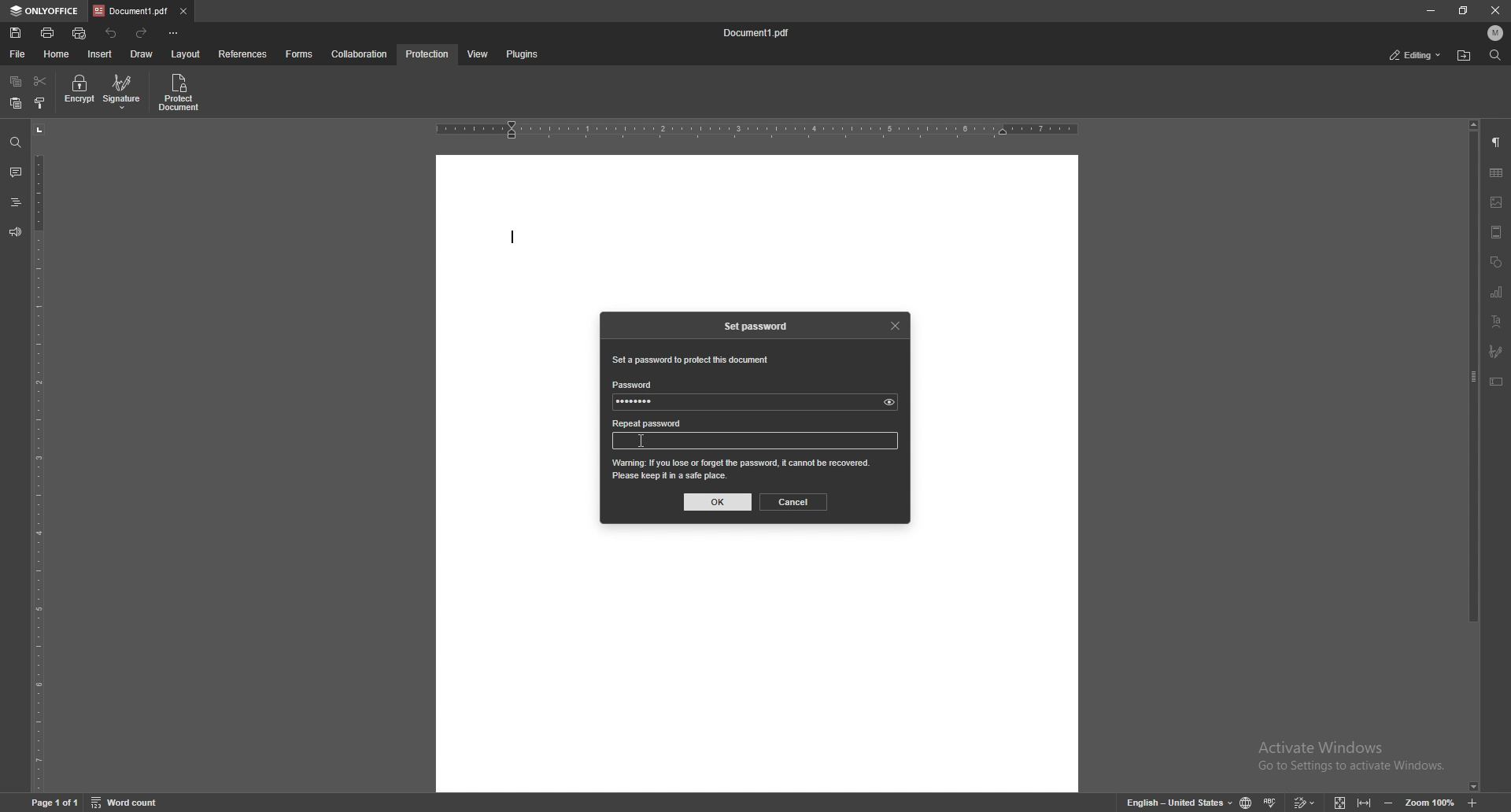  What do you see at coordinates (1365, 801) in the screenshot?
I see `fit to width` at bounding box center [1365, 801].